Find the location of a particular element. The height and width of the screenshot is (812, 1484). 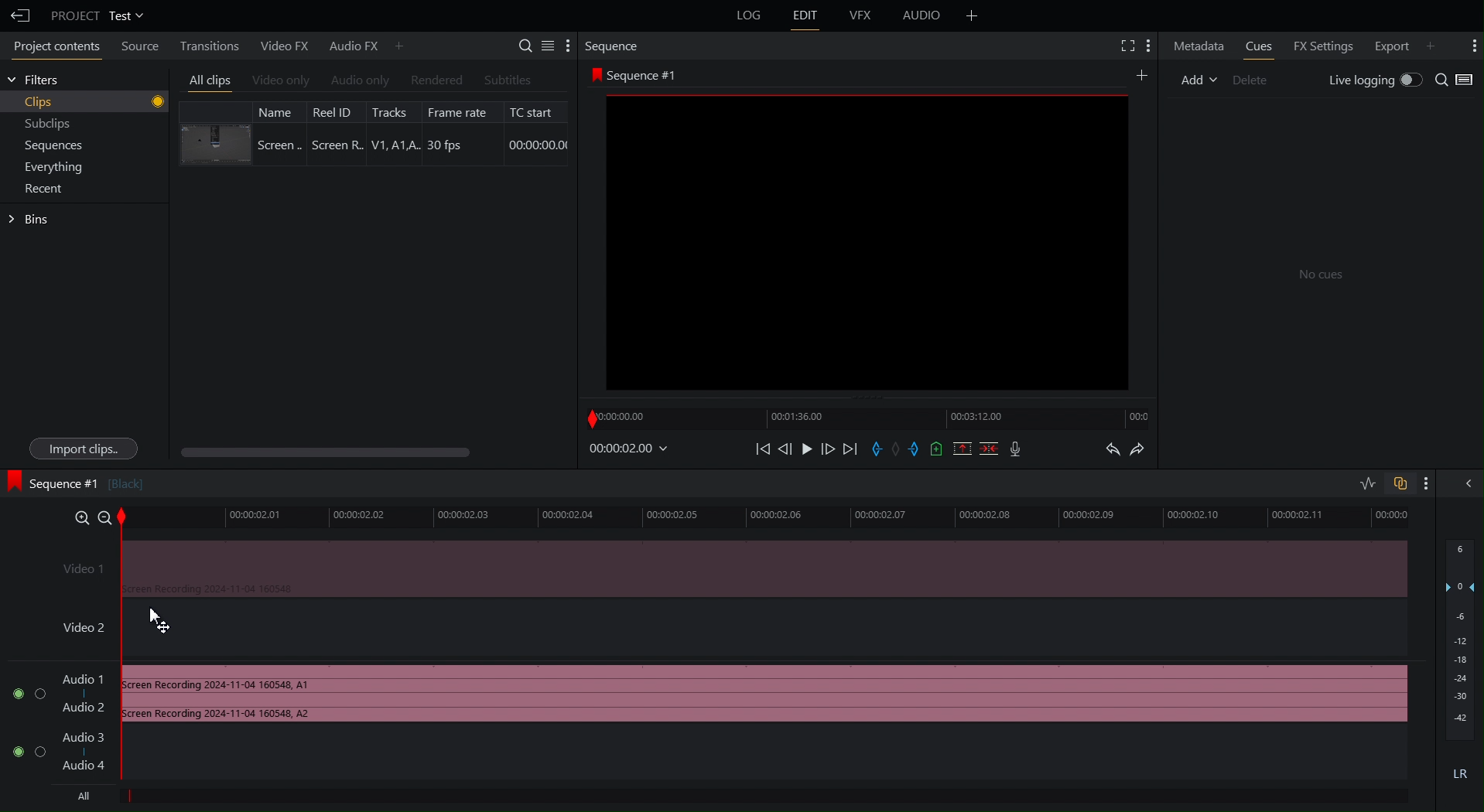

Add is located at coordinates (1194, 79).